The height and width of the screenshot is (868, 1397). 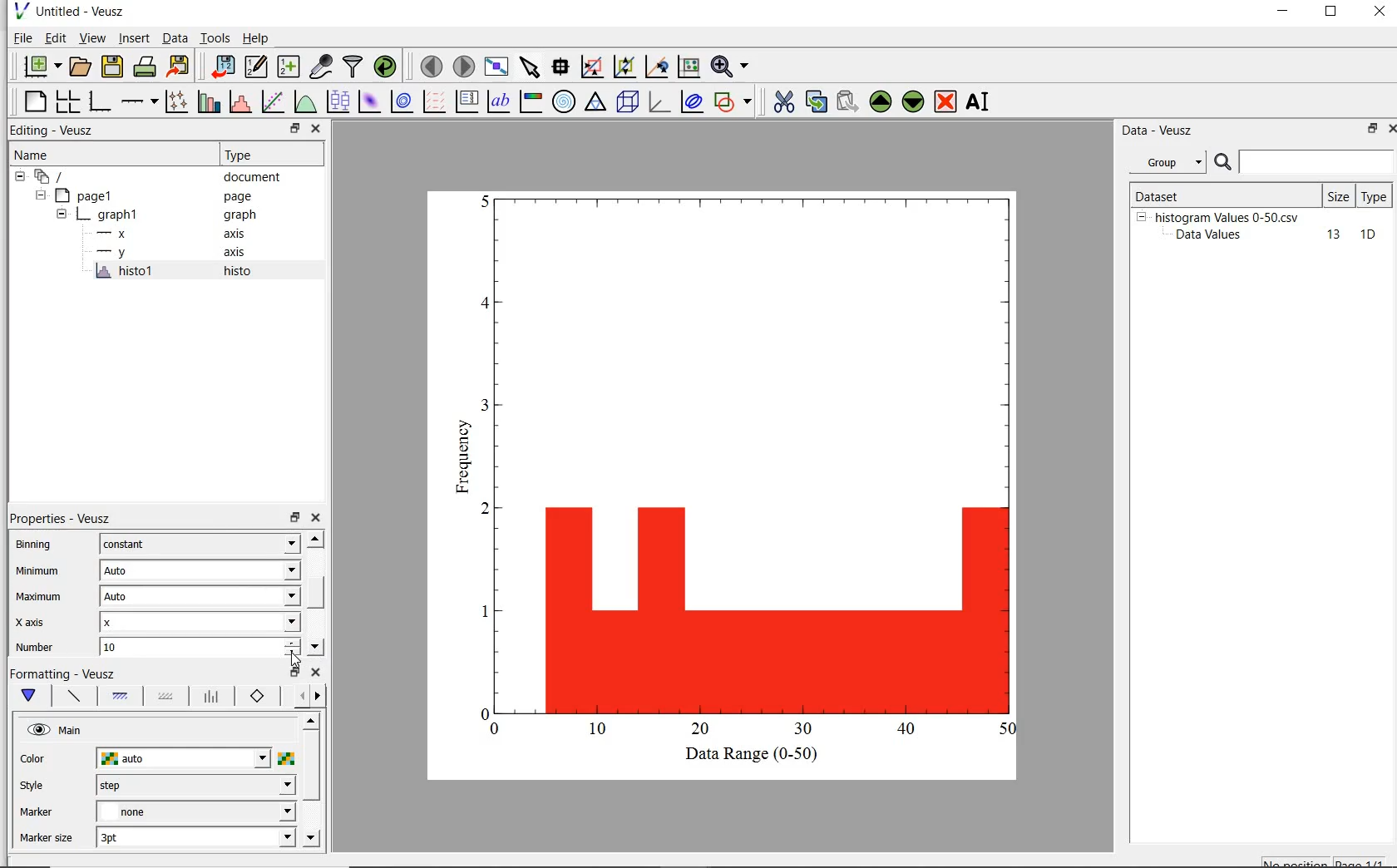 What do you see at coordinates (628, 103) in the screenshot?
I see `3d scene` at bounding box center [628, 103].